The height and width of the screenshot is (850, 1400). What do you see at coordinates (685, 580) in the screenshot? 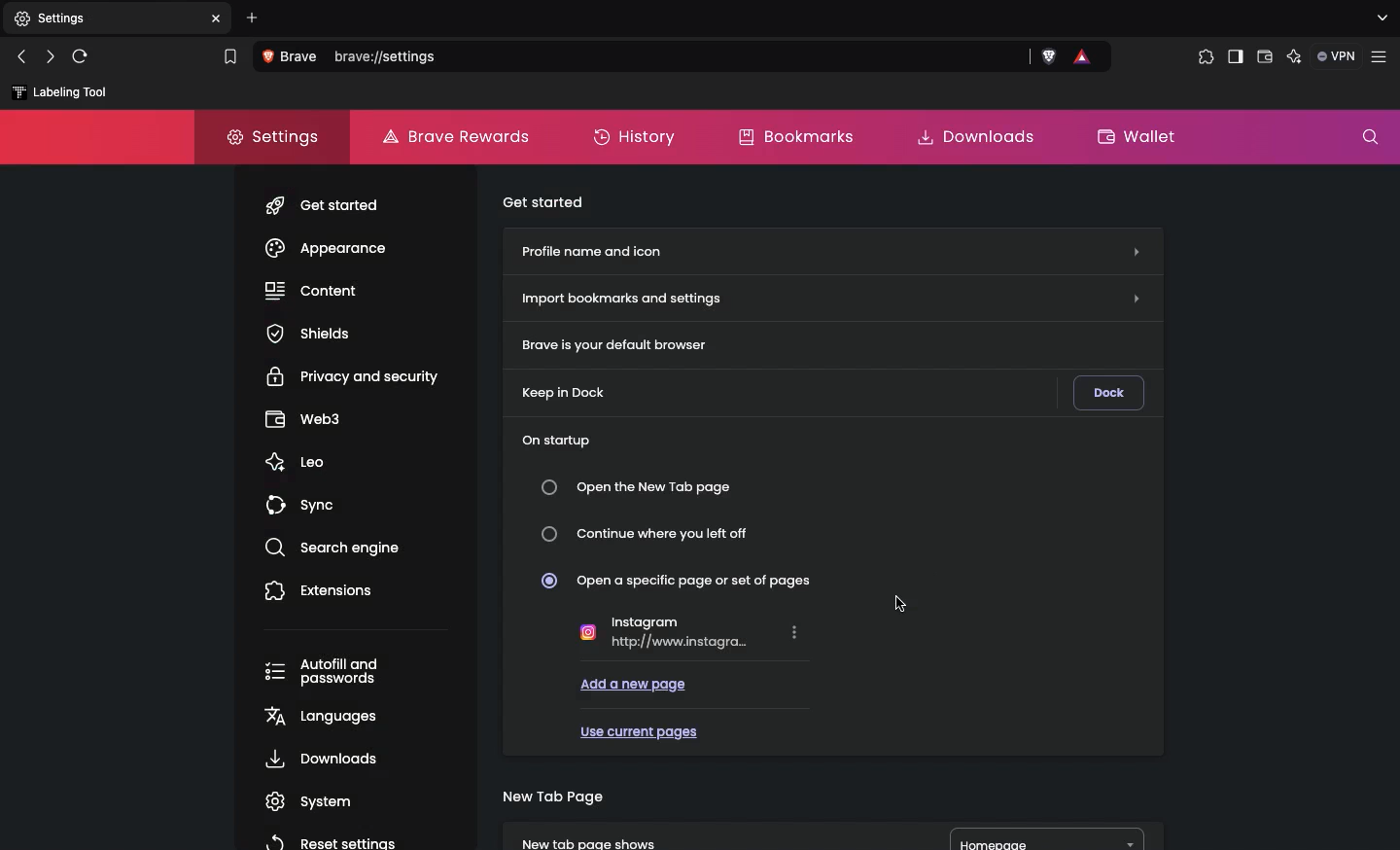
I see `Open a specific page or set of pages` at bounding box center [685, 580].